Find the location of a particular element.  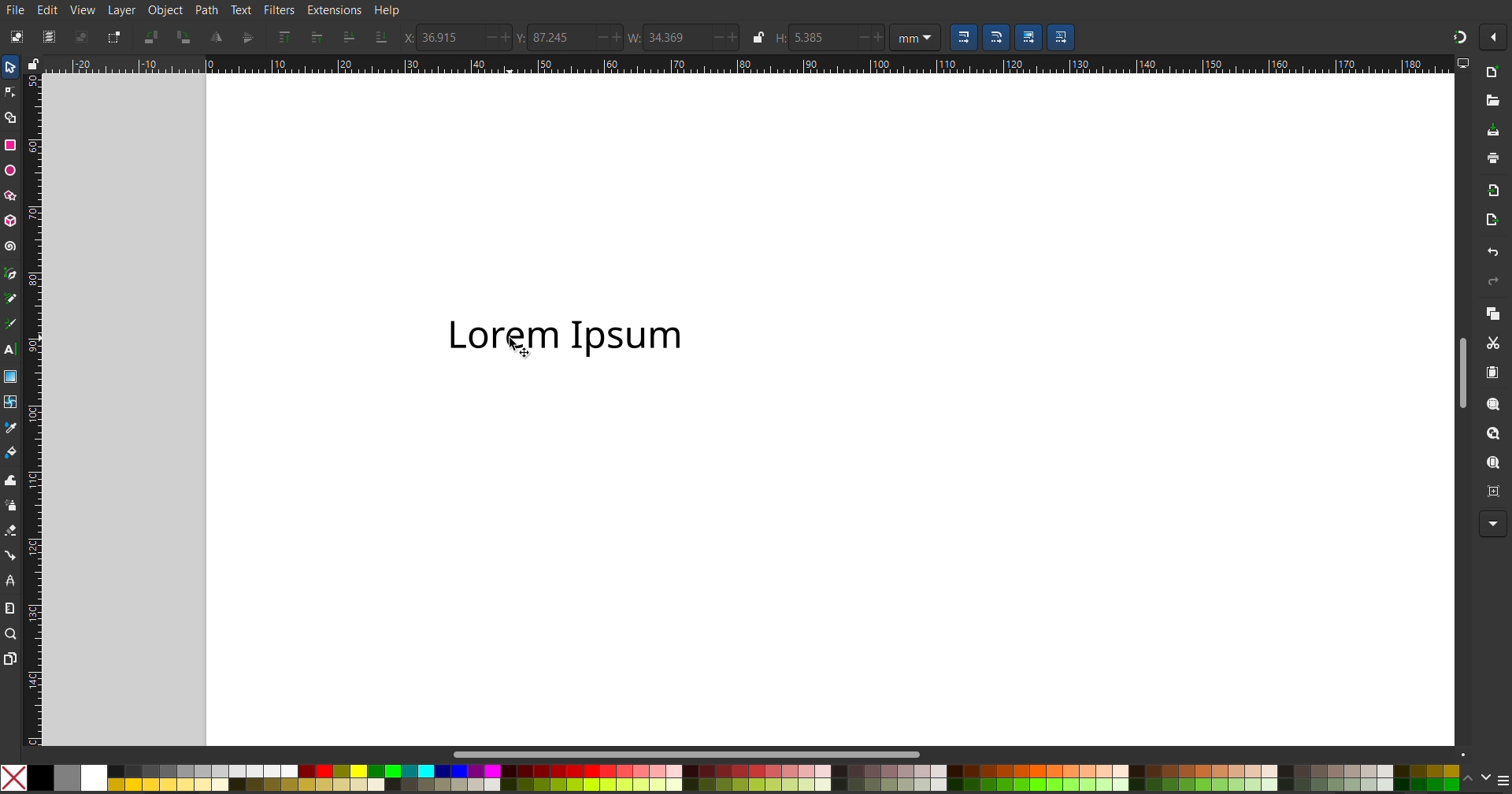

Tweak Tool is located at coordinates (14, 479).